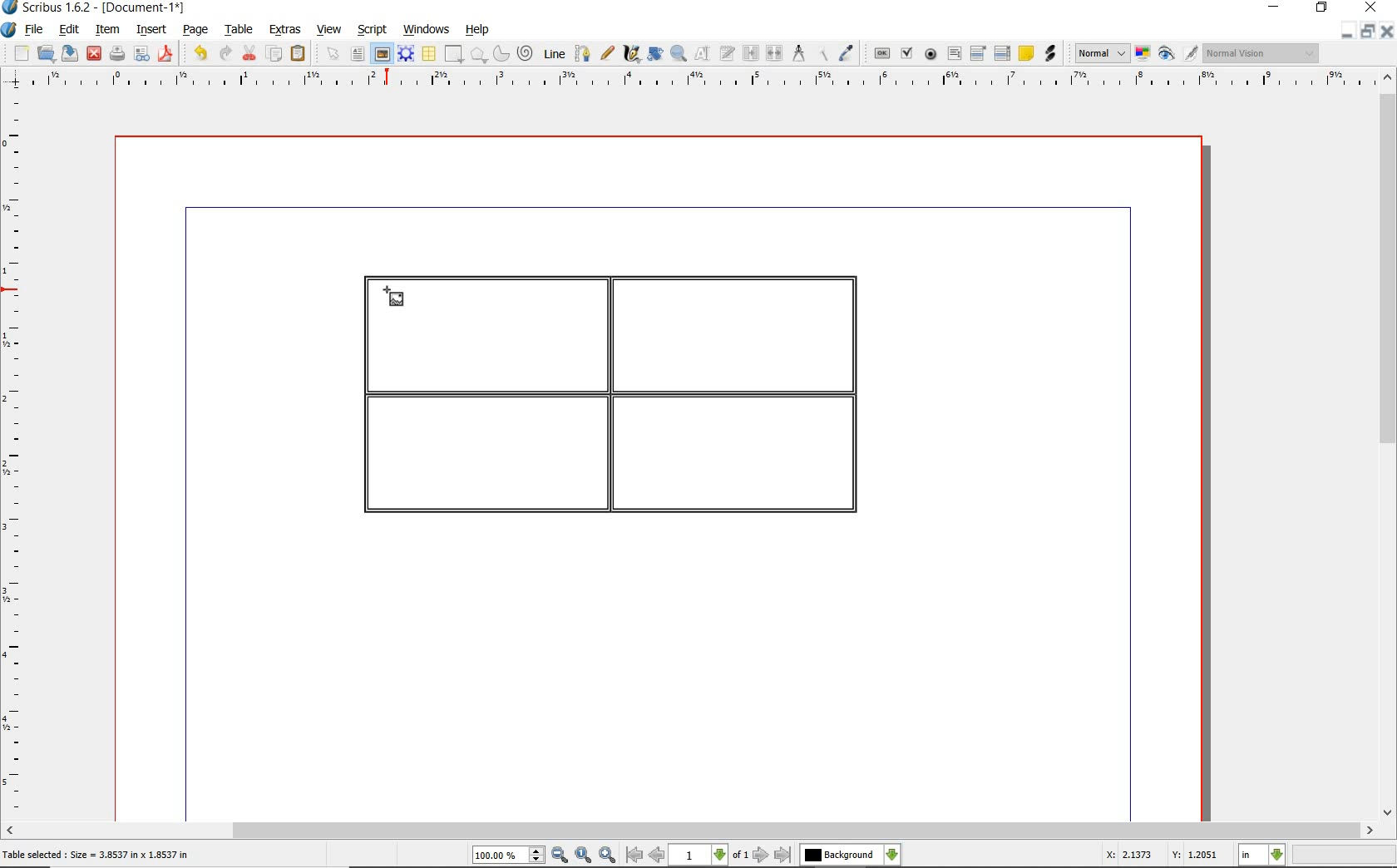 Image resolution: width=1397 pixels, height=868 pixels. Describe the element at coordinates (373, 30) in the screenshot. I see `script` at that location.